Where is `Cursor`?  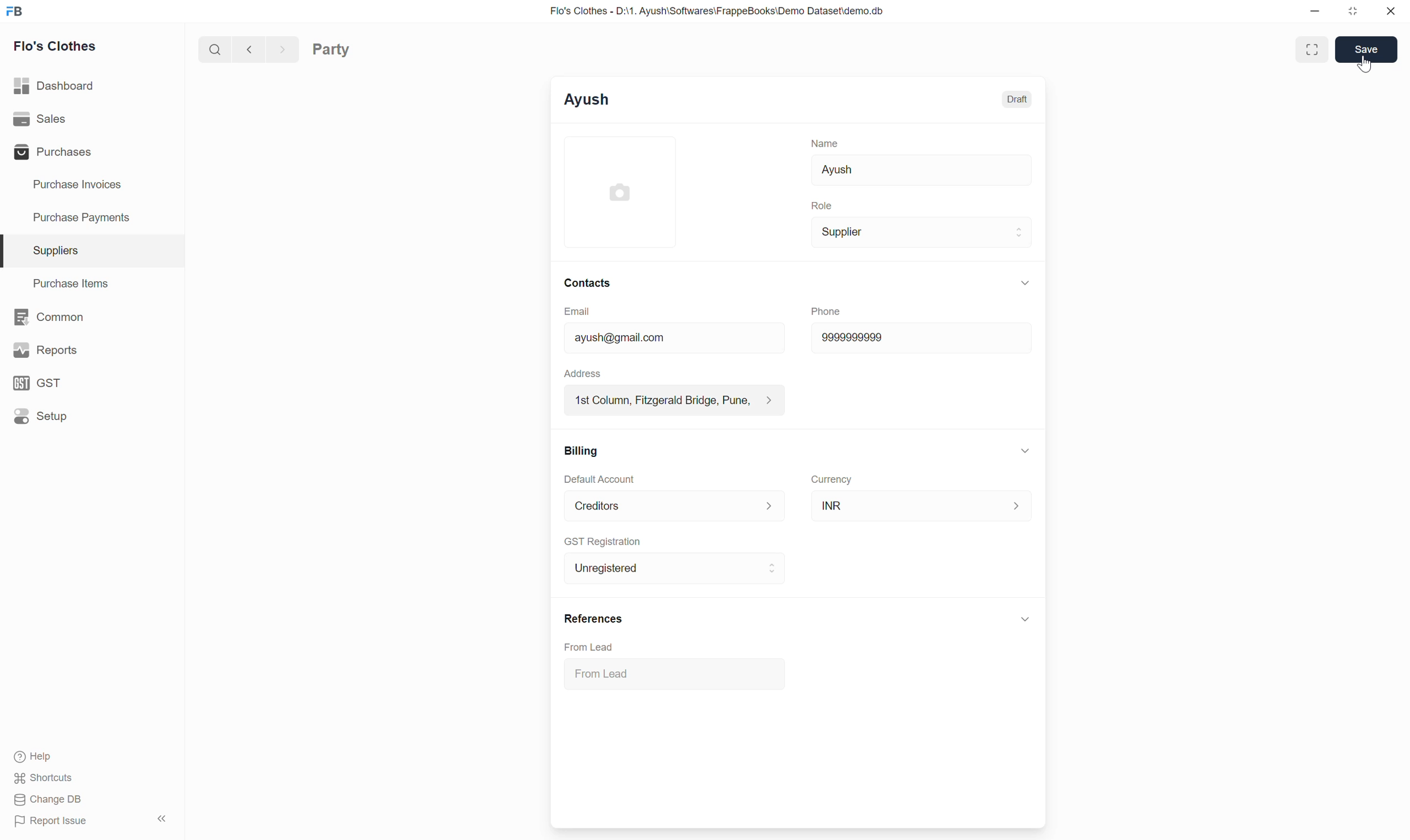 Cursor is located at coordinates (1364, 63).